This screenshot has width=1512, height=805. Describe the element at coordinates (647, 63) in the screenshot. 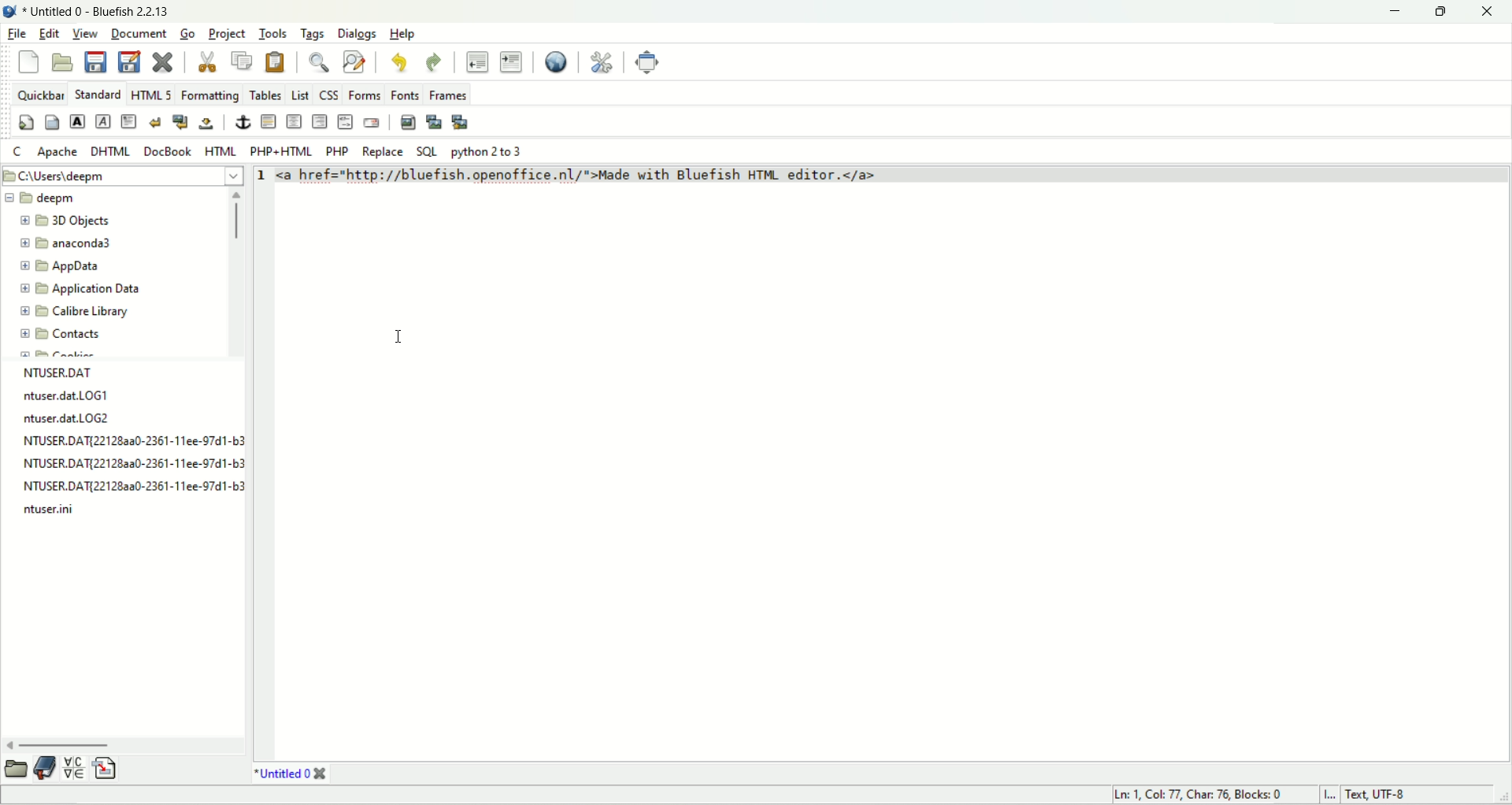

I see `fullscreen` at that location.